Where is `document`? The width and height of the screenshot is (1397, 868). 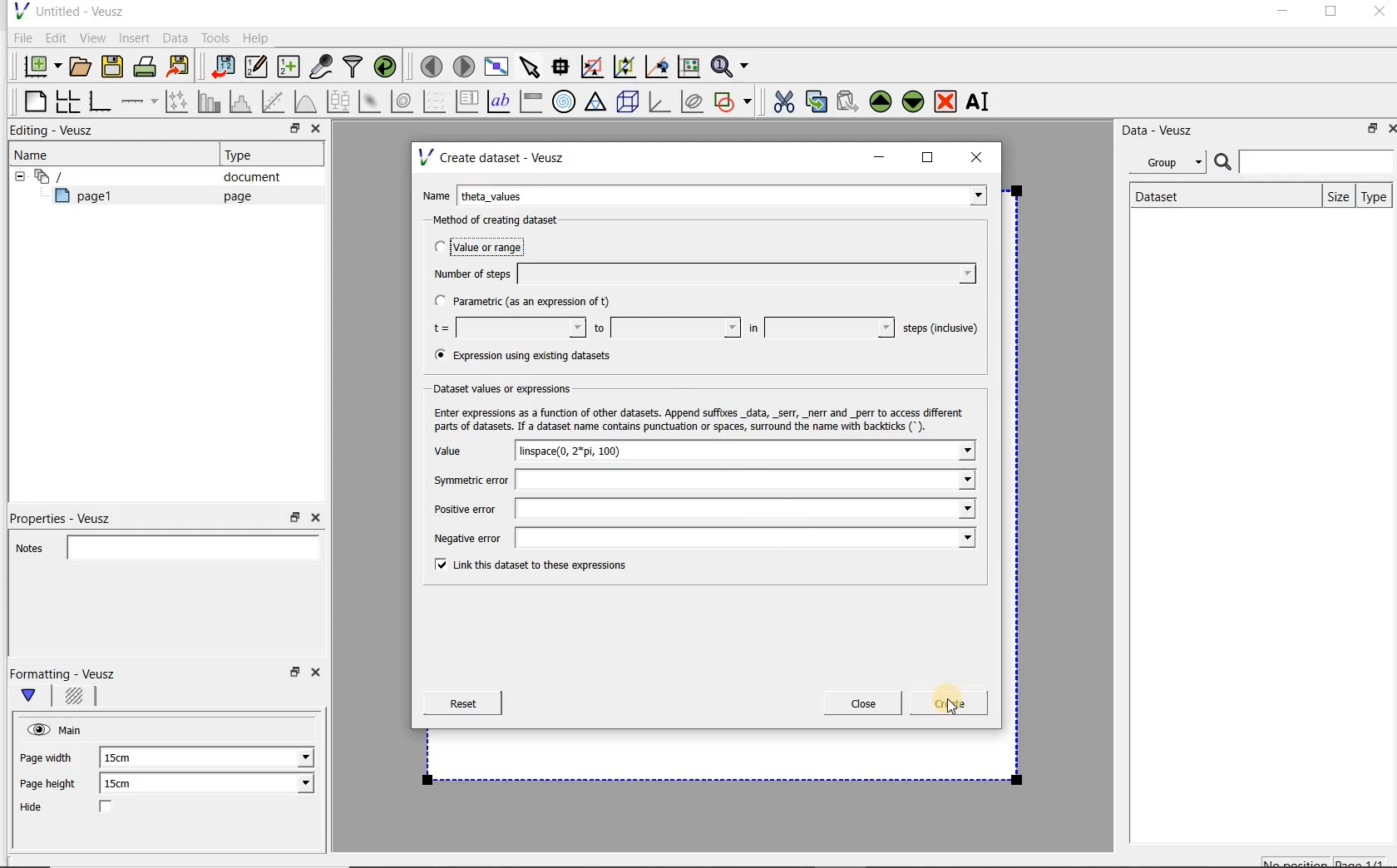
document is located at coordinates (245, 177).